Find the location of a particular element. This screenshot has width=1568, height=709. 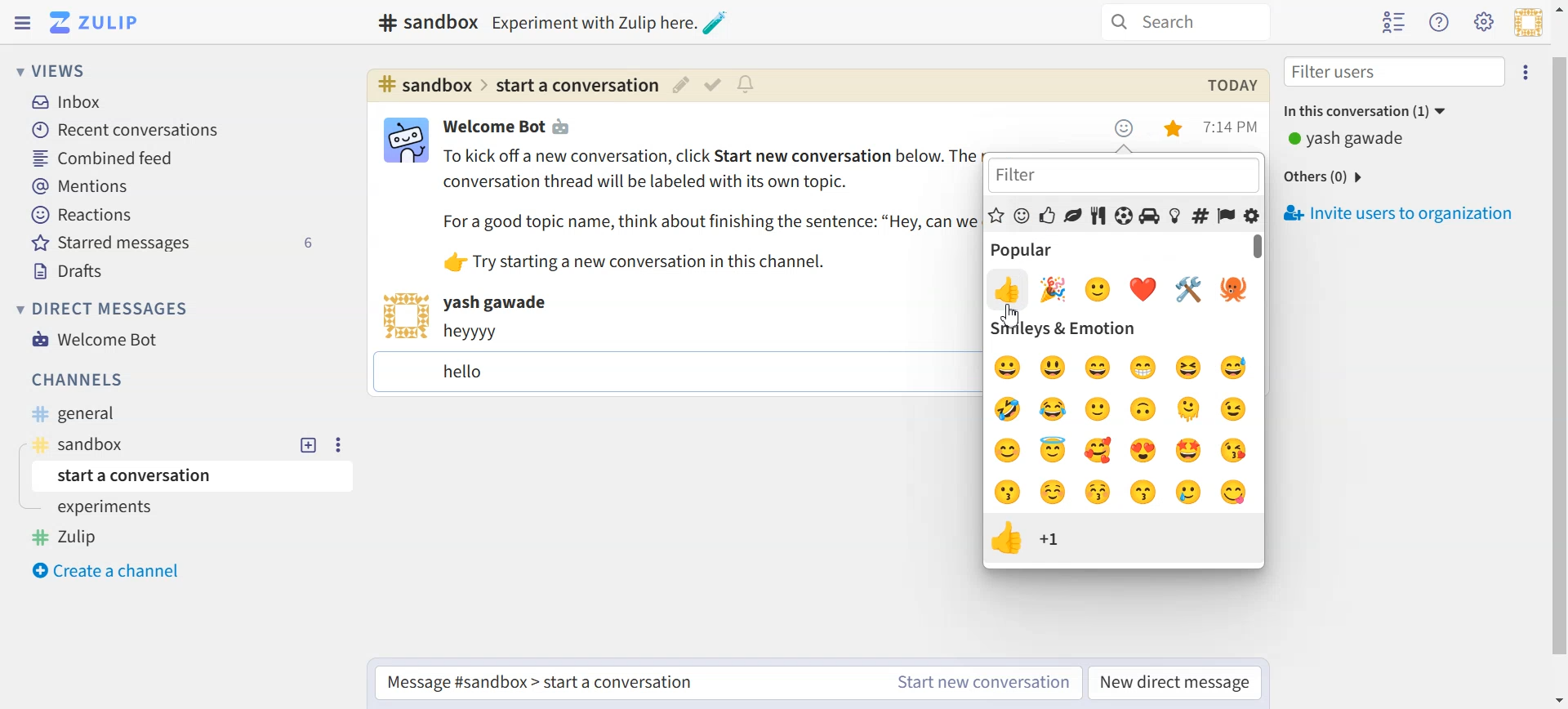

Mark as resolved is located at coordinates (711, 85).